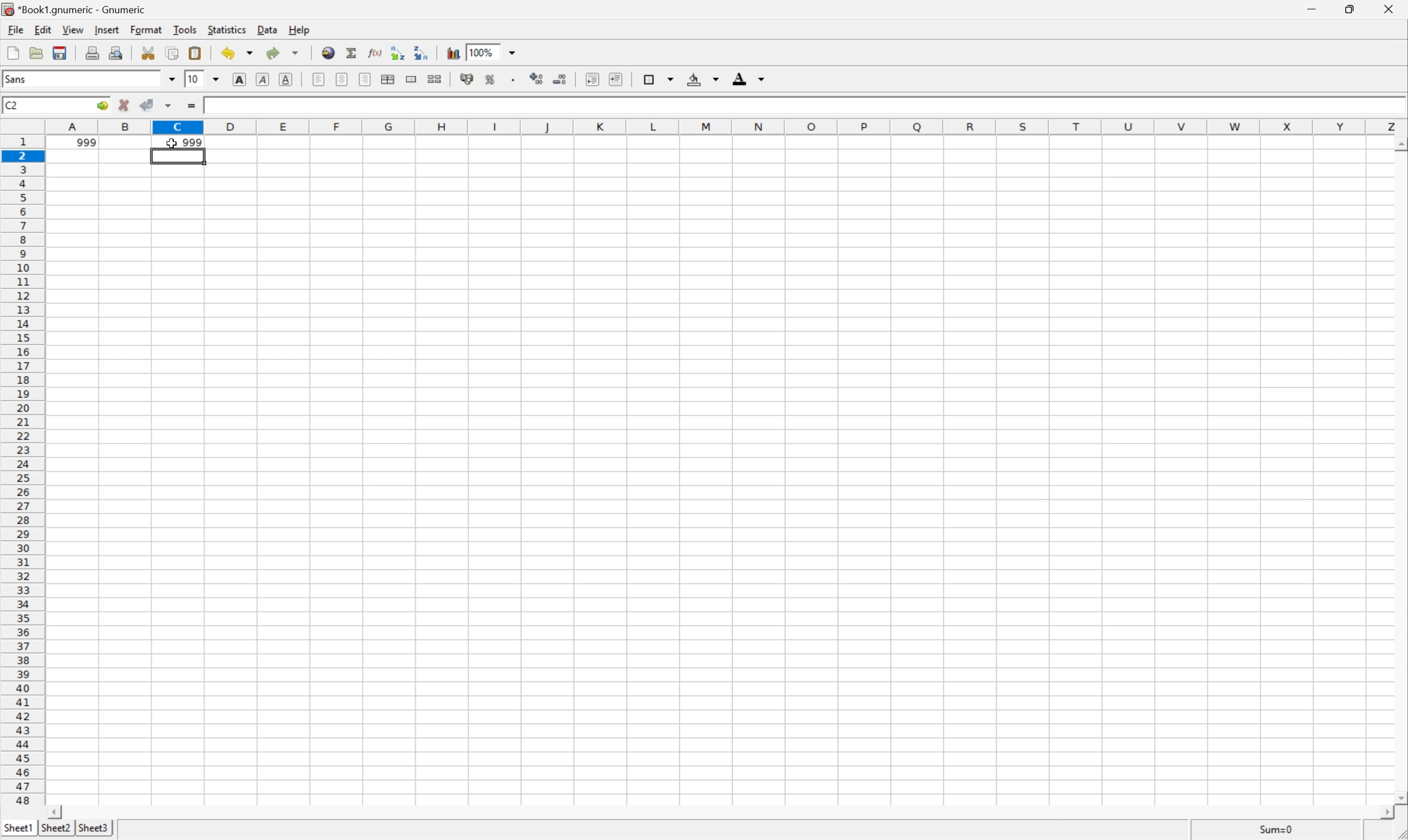 This screenshot has width=1408, height=840. What do you see at coordinates (75, 30) in the screenshot?
I see `view` at bounding box center [75, 30].